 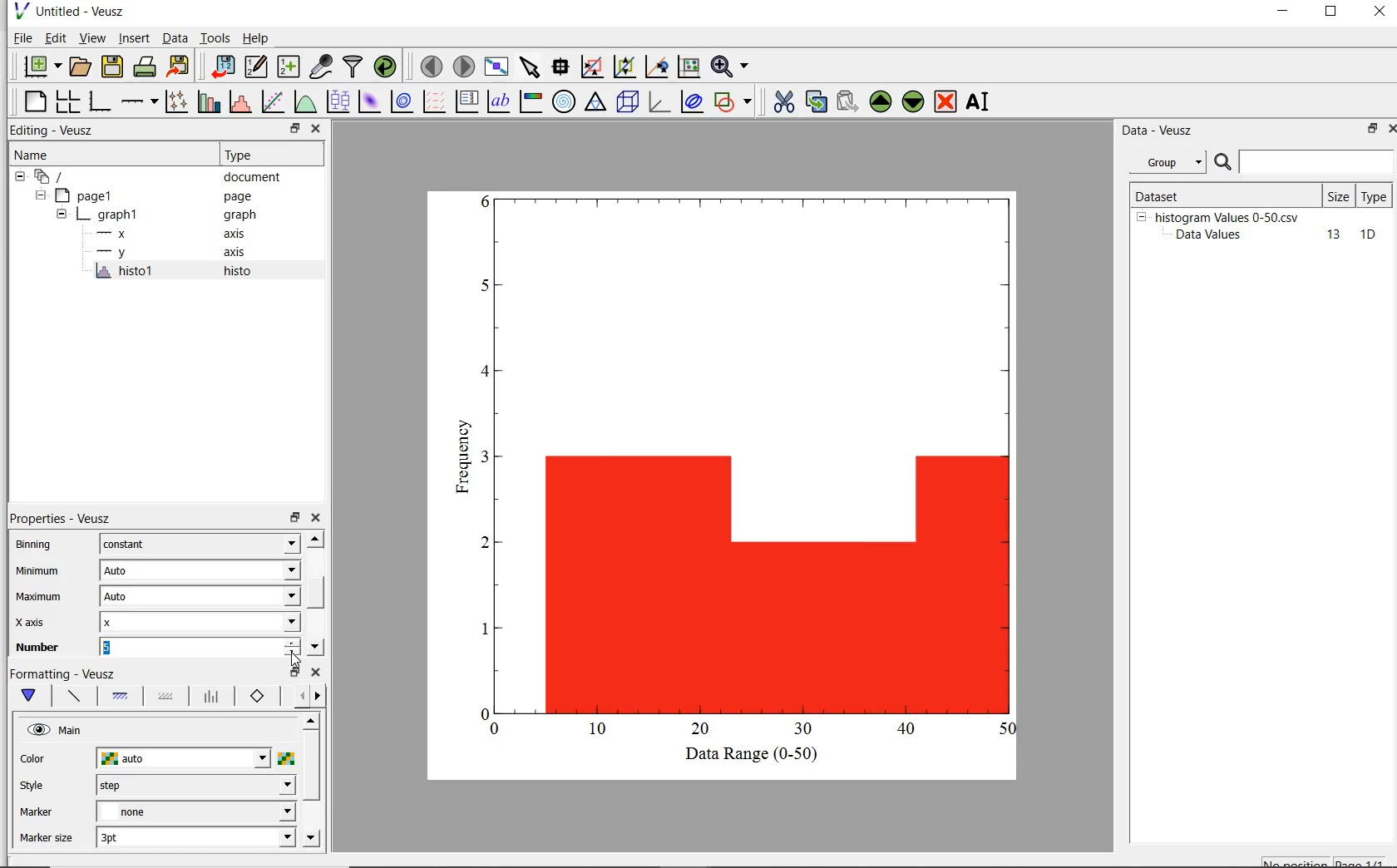 What do you see at coordinates (316, 591) in the screenshot?
I see `vertical scrollbar` at bounding box center [316, 591].